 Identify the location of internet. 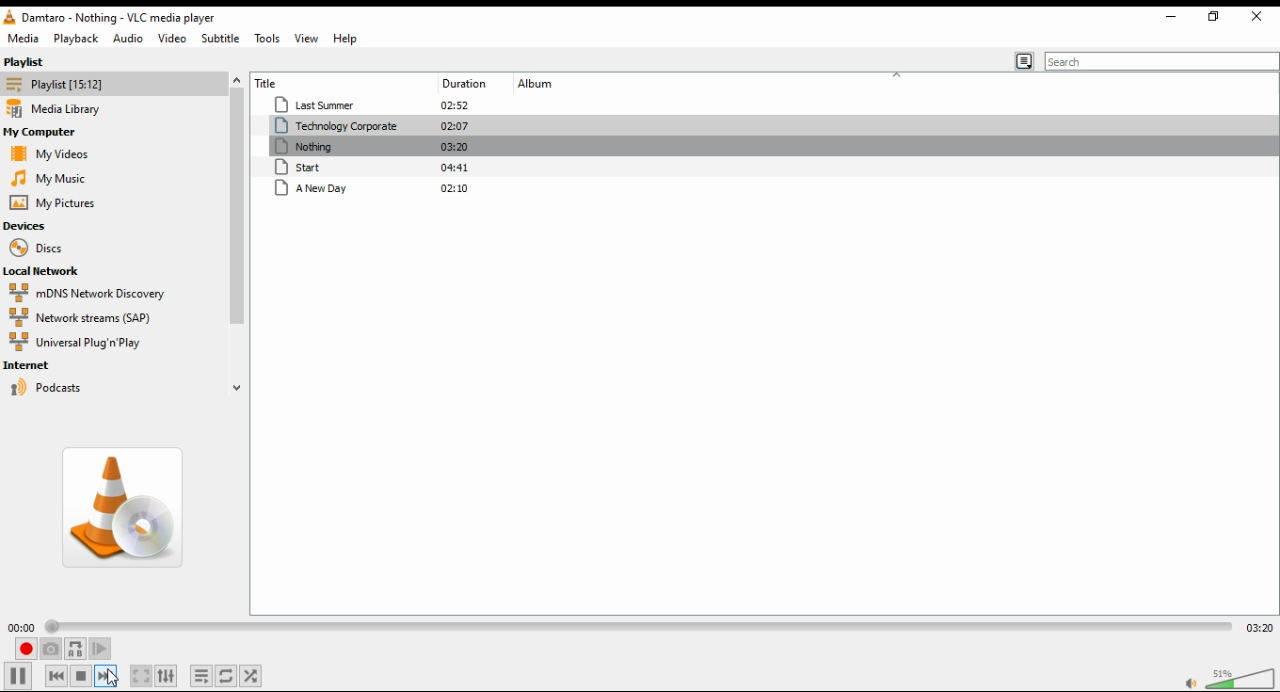
(30, 367).